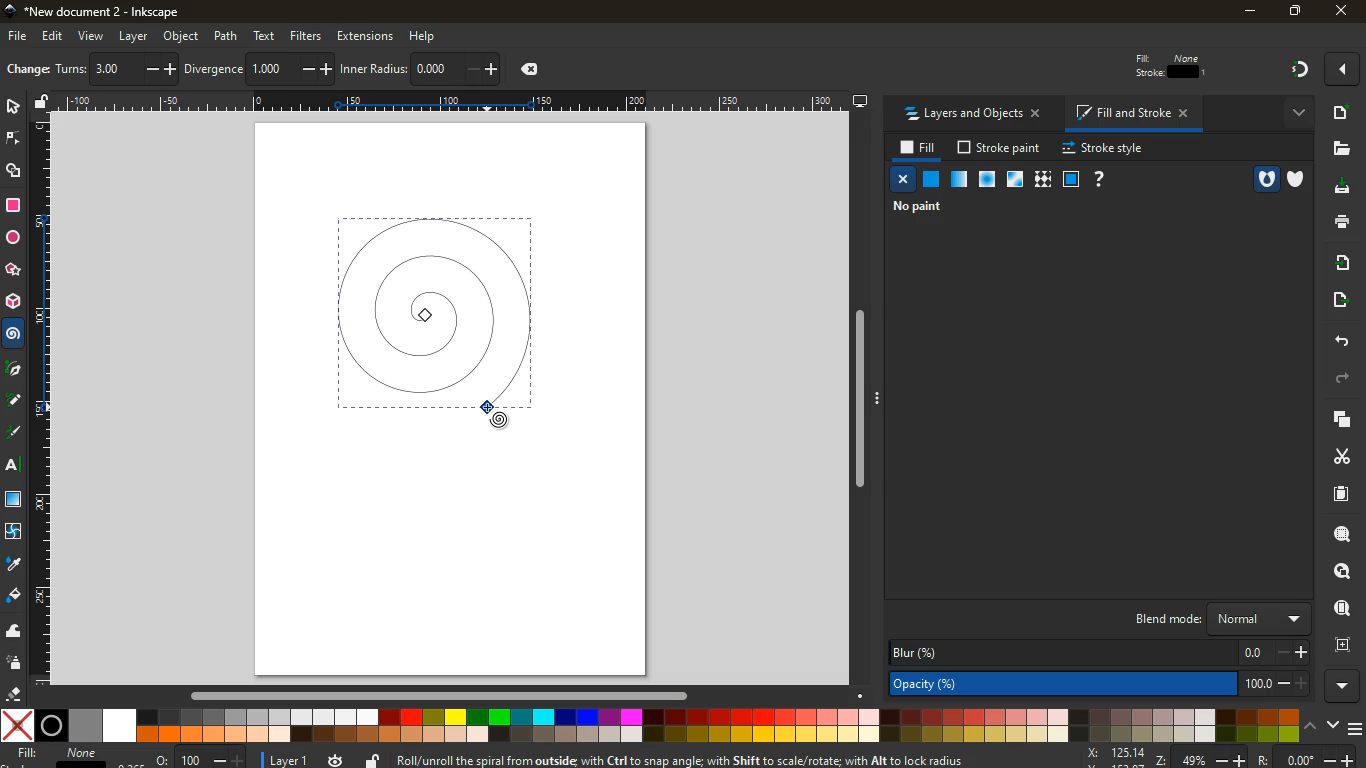 The width and height of the screenshot is (1366, 768). I want to click on shield, so click(1299, 179).